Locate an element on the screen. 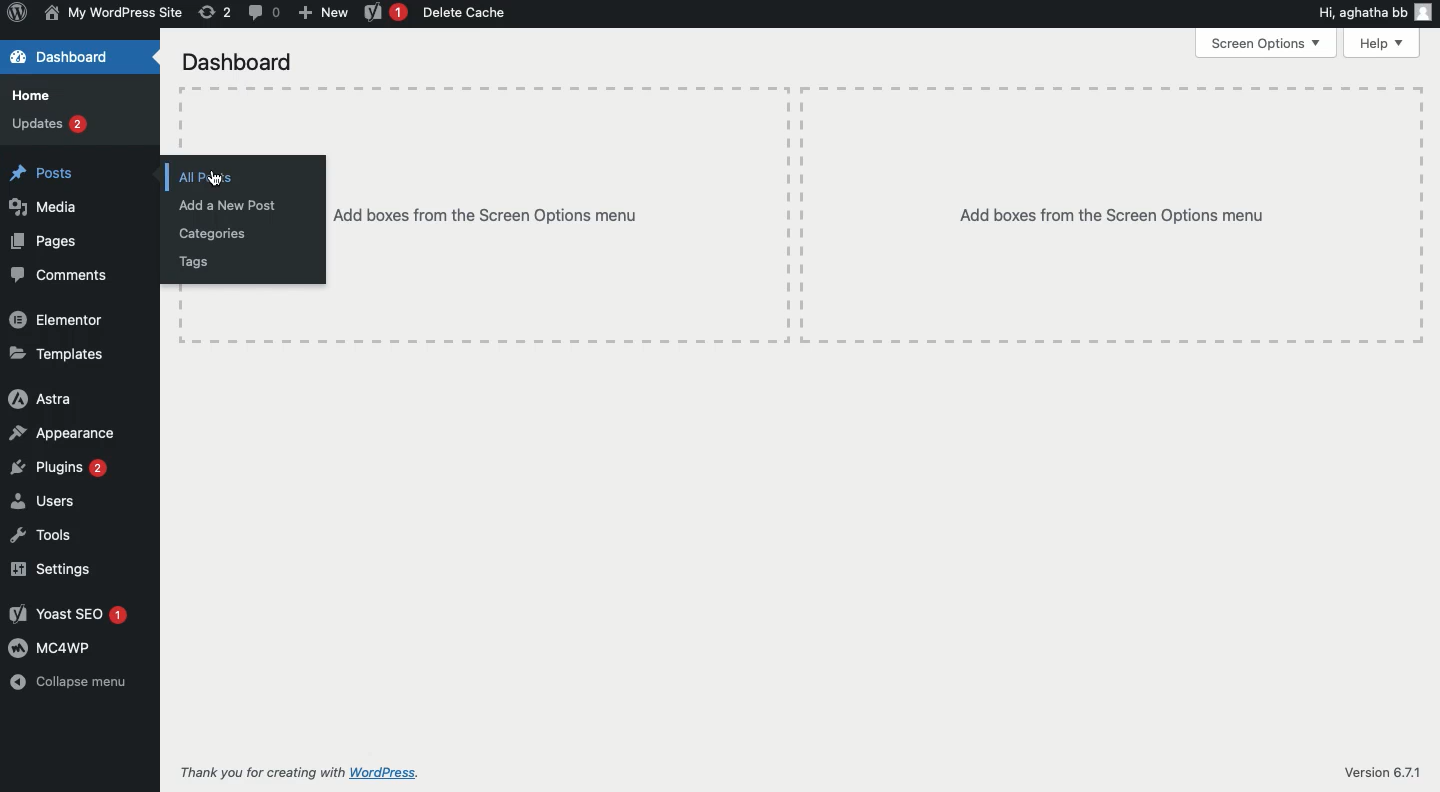  Revision is located at coordinates (213, 14).